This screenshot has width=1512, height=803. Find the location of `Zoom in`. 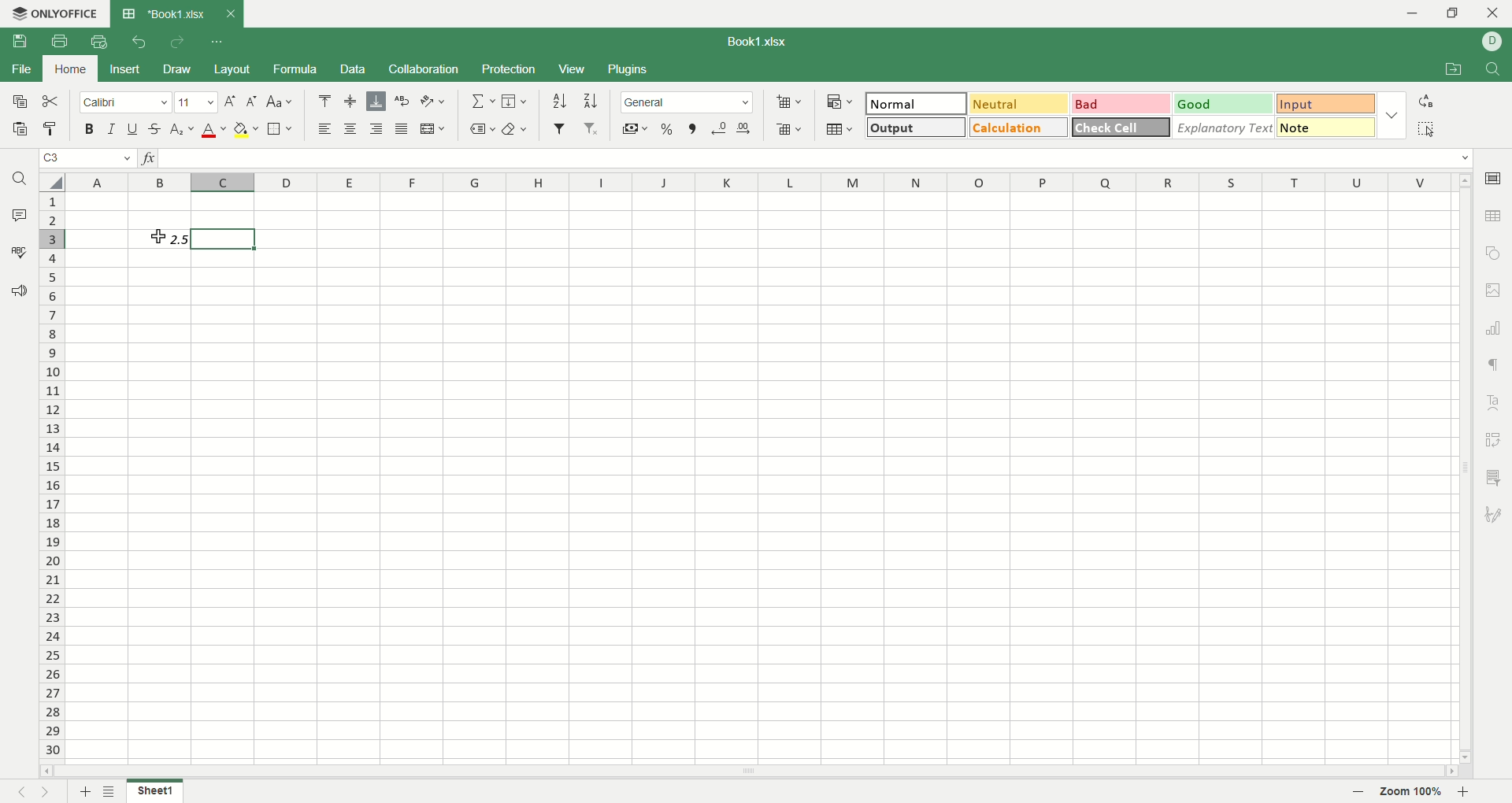

Zoom in is located at coordinates (1462, 792).